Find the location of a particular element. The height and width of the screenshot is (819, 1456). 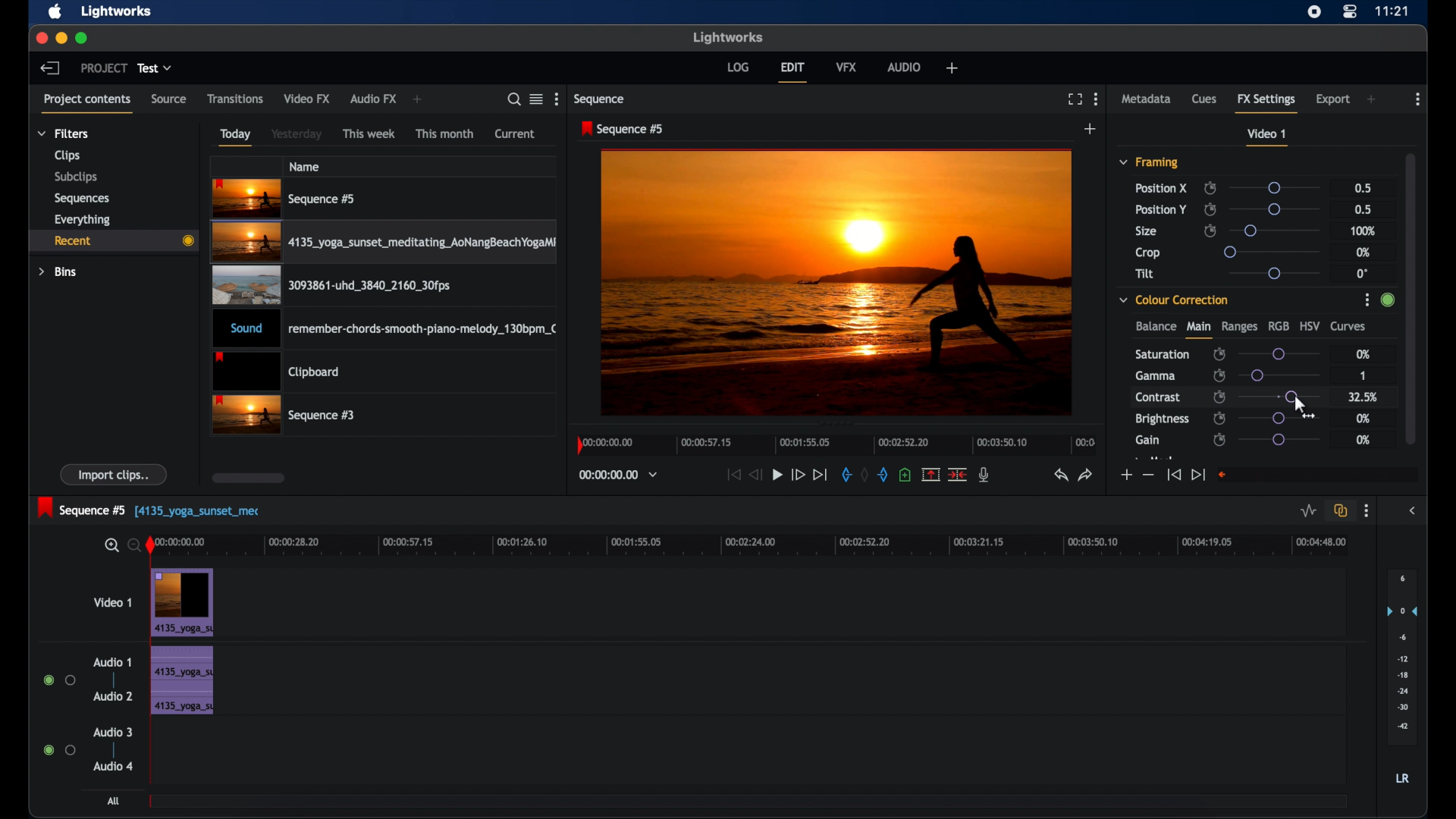

jump to start is located at coordinates (732, 474).